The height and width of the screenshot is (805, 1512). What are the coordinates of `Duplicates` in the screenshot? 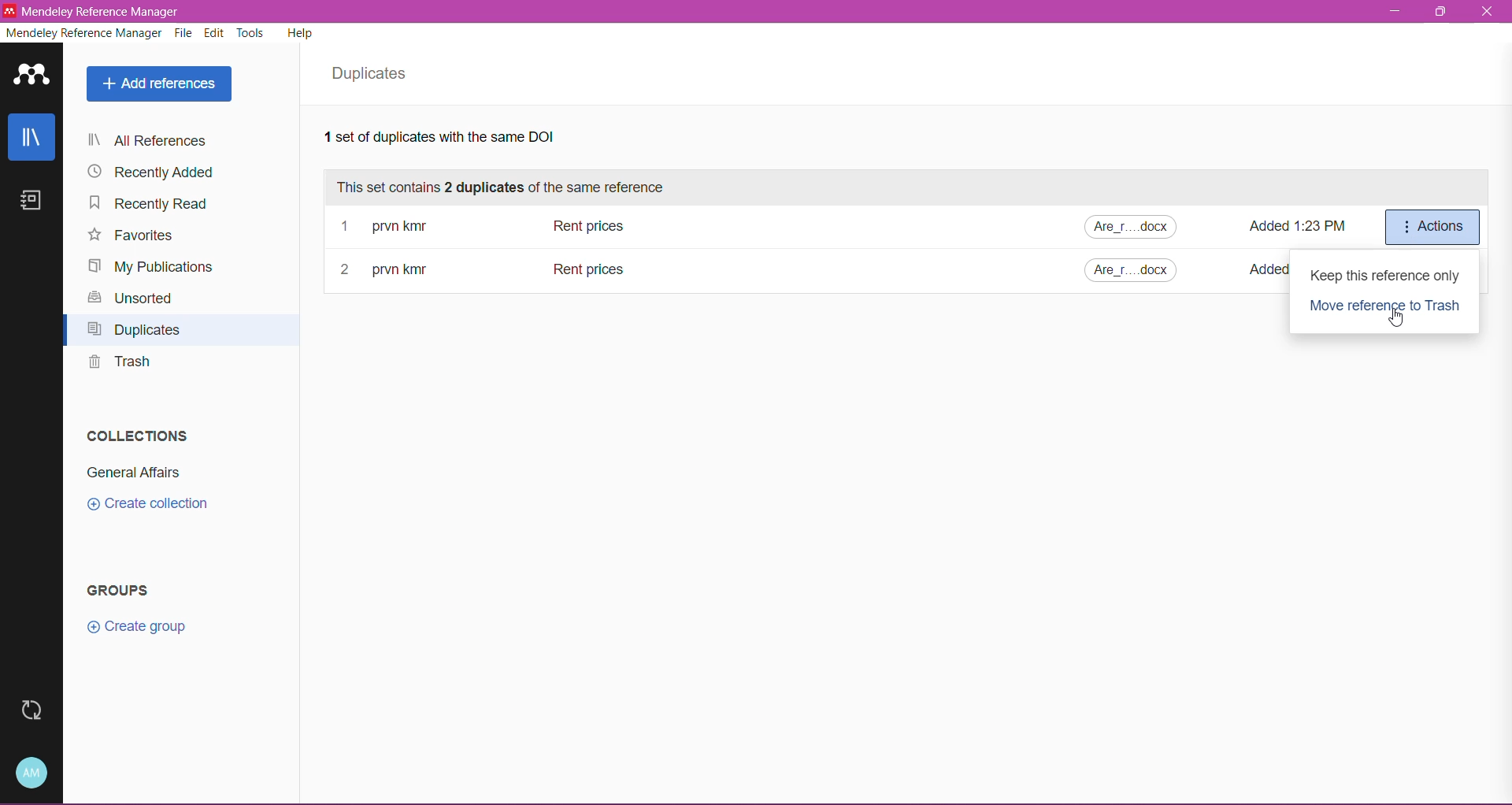 It's located at (374, 74).